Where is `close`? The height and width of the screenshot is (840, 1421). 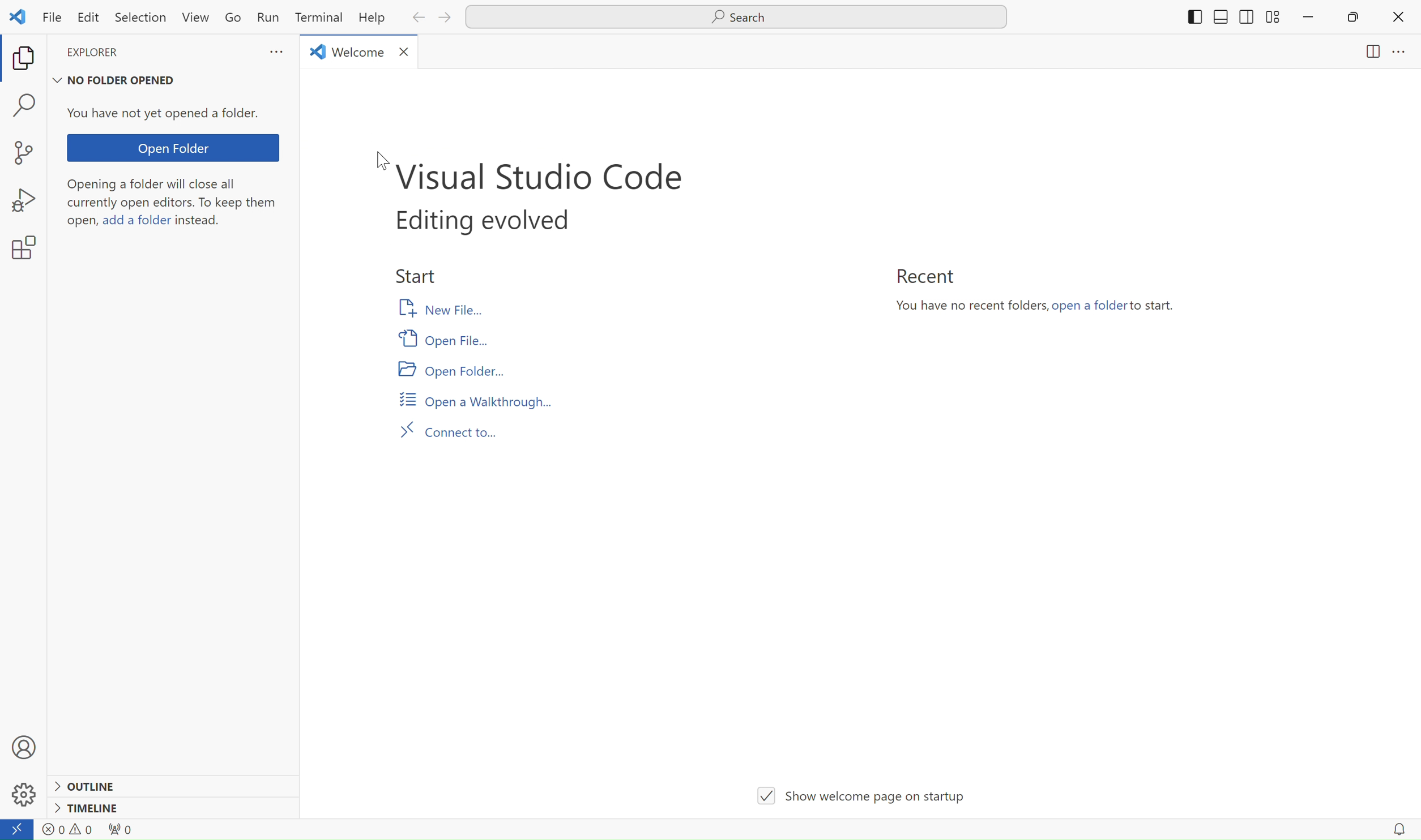
close is located at coordinates (412, 58).